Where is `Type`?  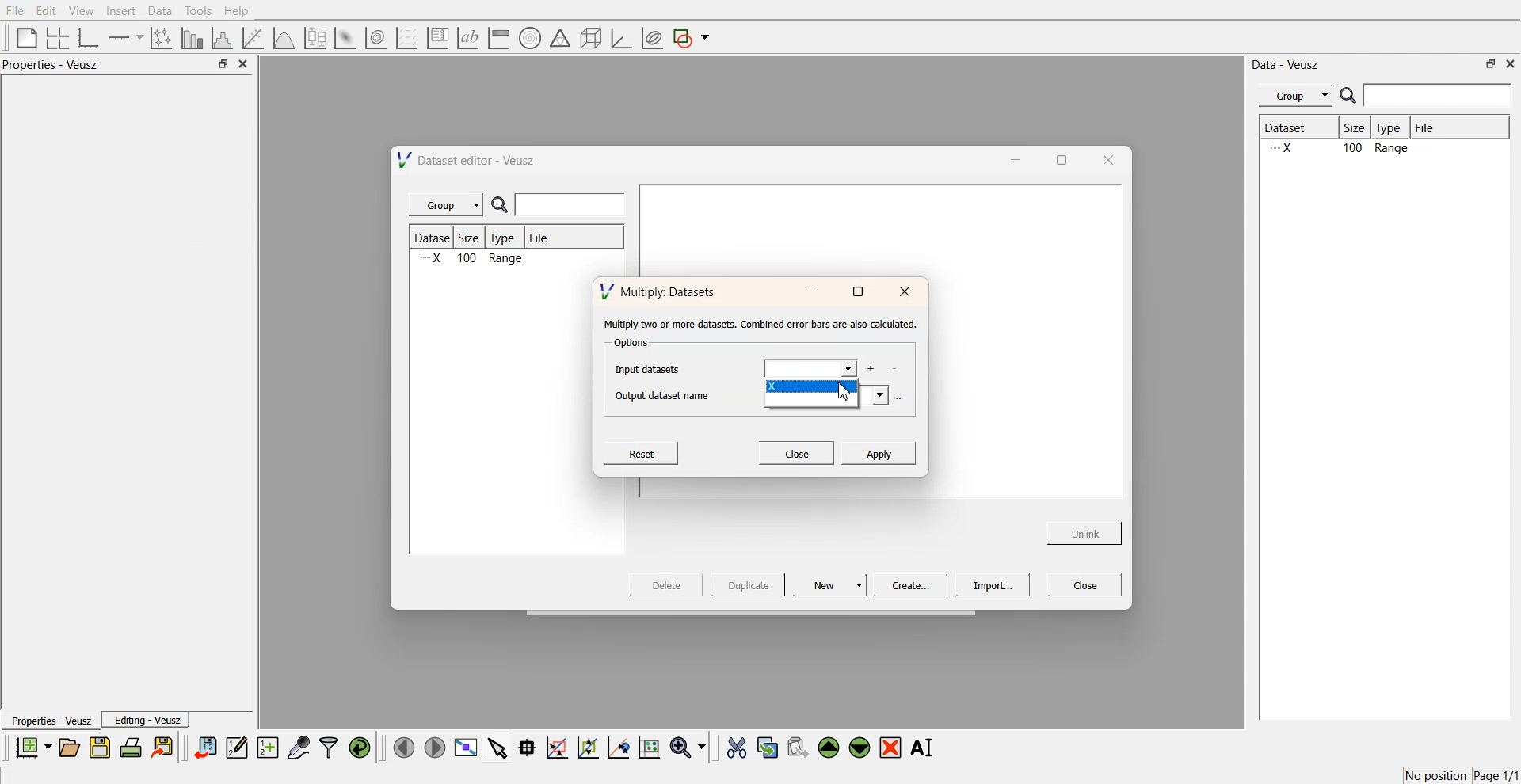
Type is located at coordinates (507, 238).